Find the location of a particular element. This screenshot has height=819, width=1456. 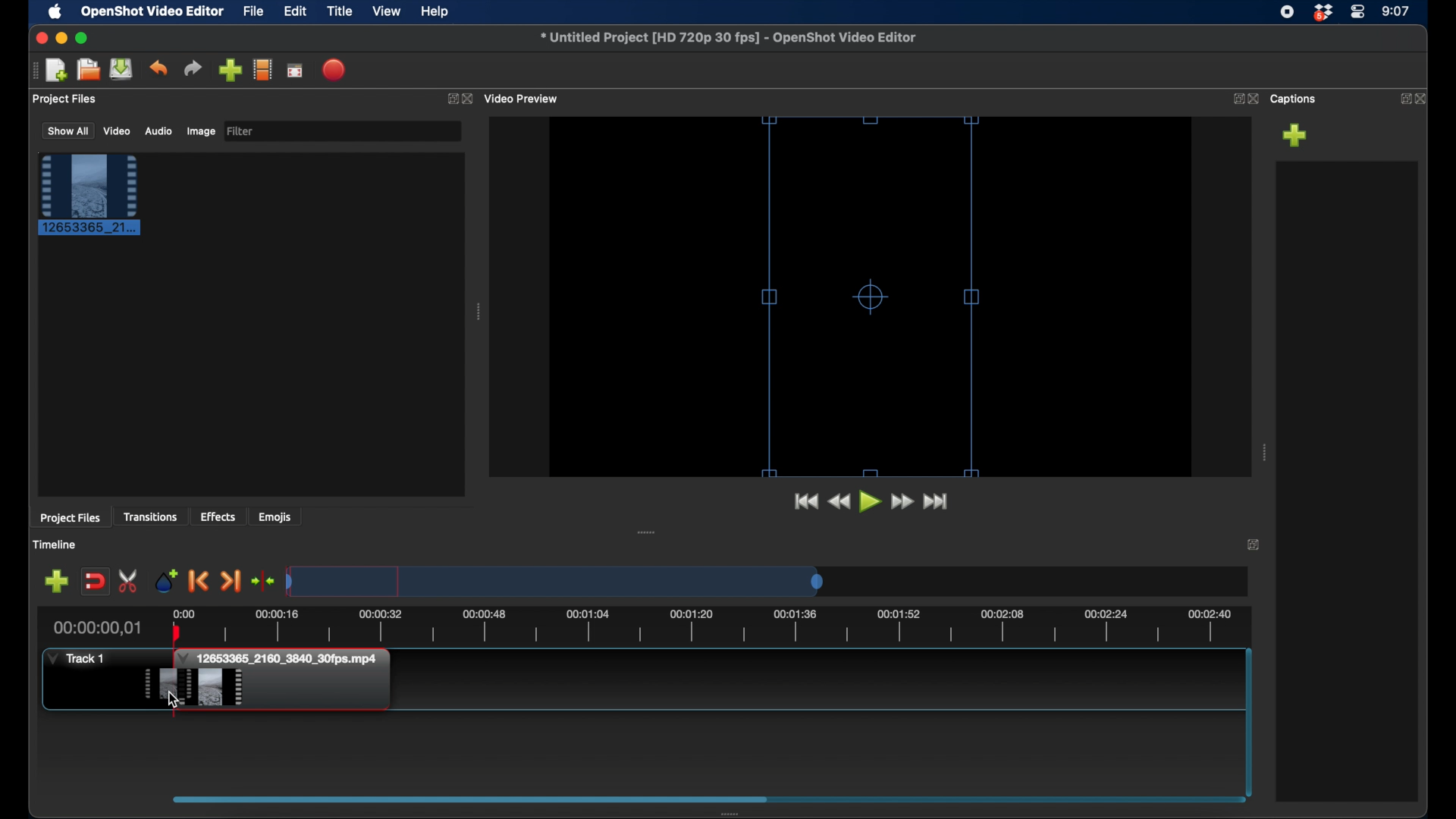

show all is located at coordinates (66, 132).